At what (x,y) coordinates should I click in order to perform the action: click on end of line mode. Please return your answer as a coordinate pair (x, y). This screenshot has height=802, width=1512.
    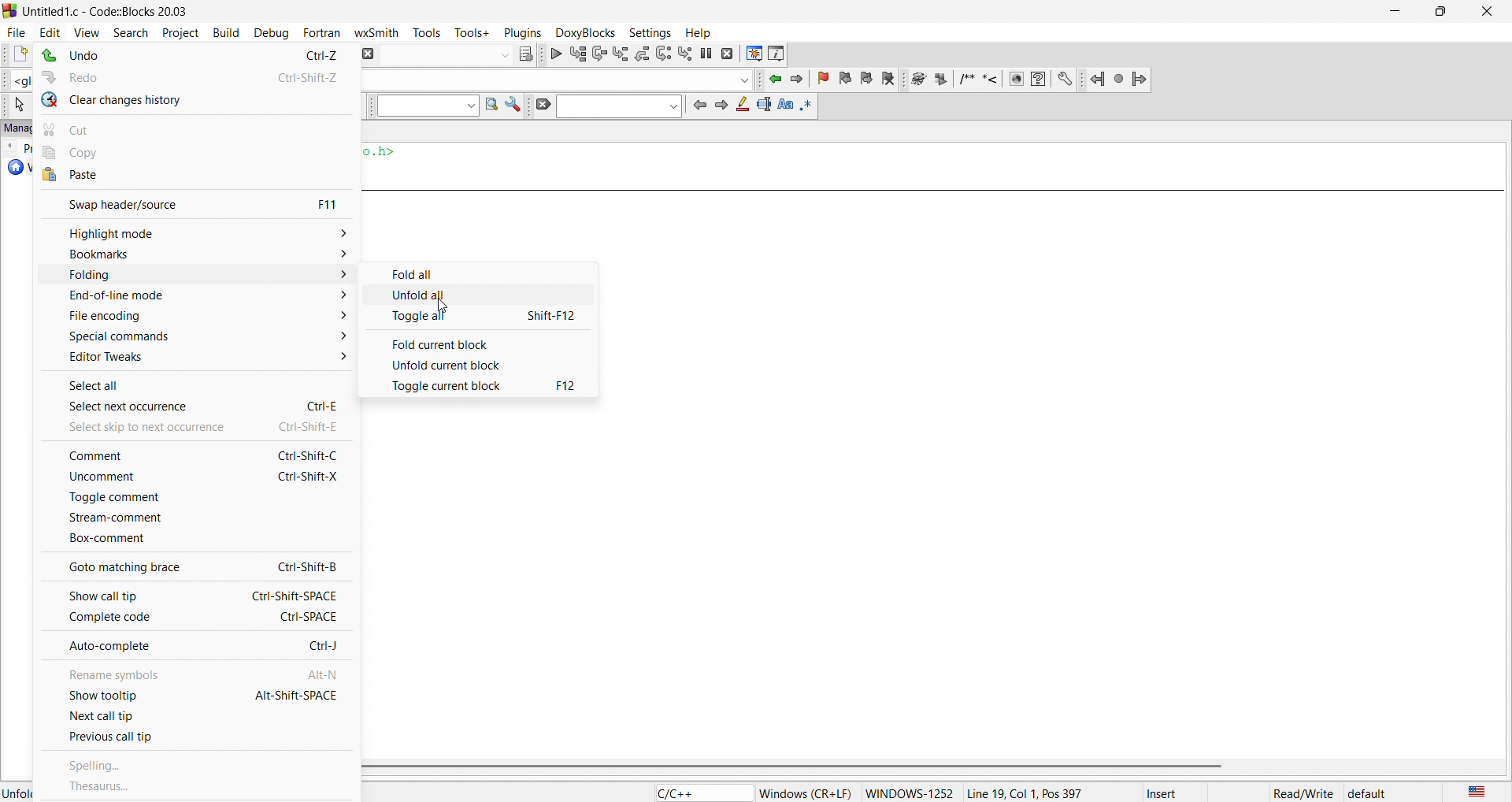
    Looking at the image, I should click on (189, 297).